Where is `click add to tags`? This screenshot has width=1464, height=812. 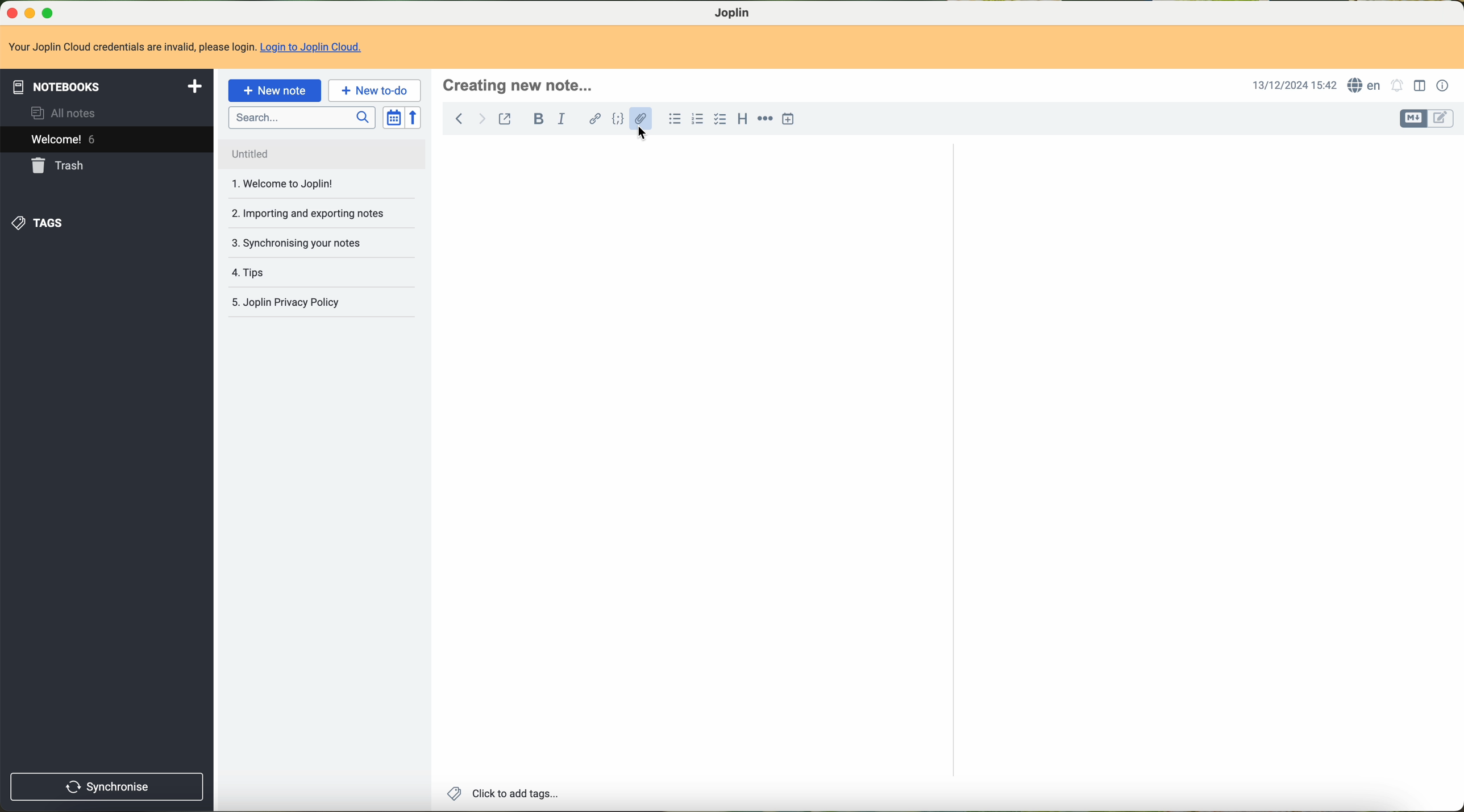
click add to tags is located at coordinates (507, 794).